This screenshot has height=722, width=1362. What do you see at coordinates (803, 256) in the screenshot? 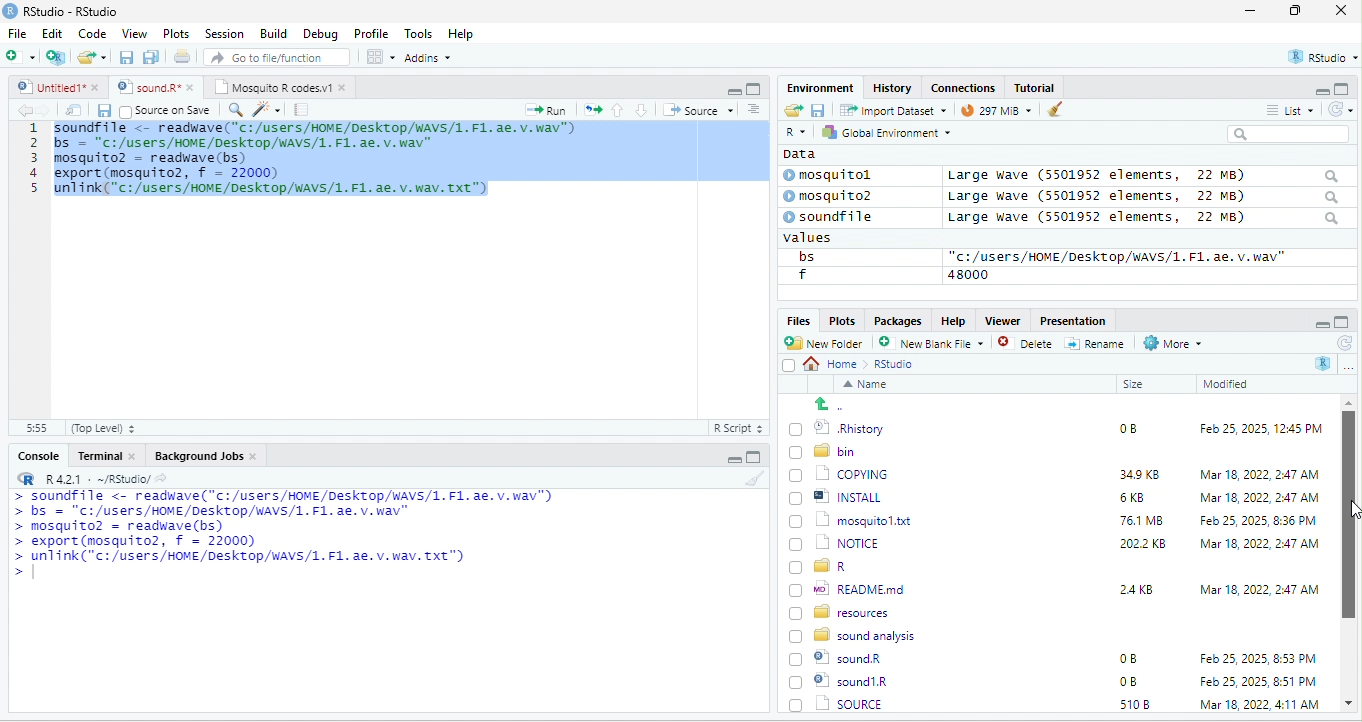
I see `bs` at bounding box center [803, 256].